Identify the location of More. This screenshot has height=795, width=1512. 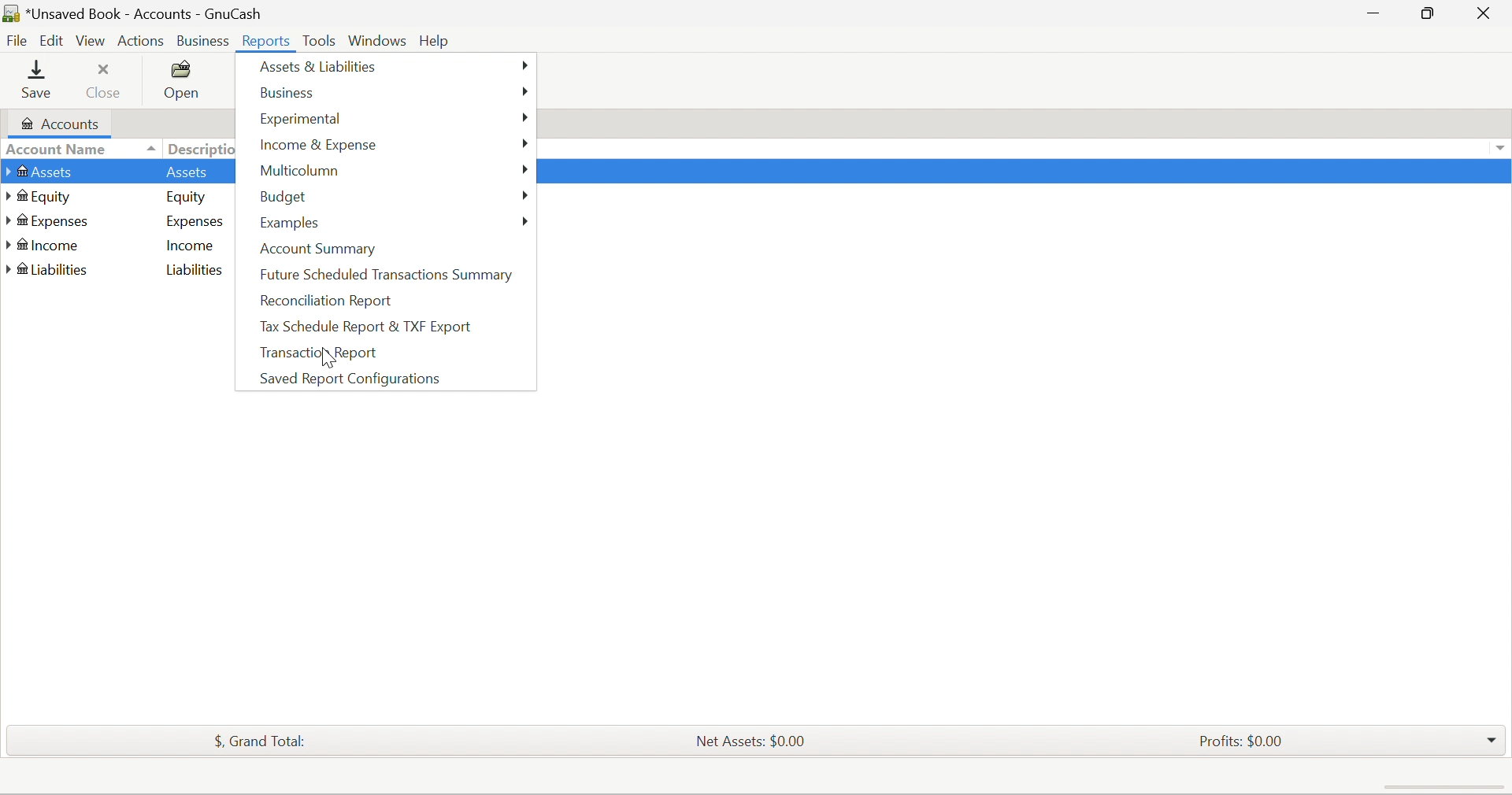
(526, 66).